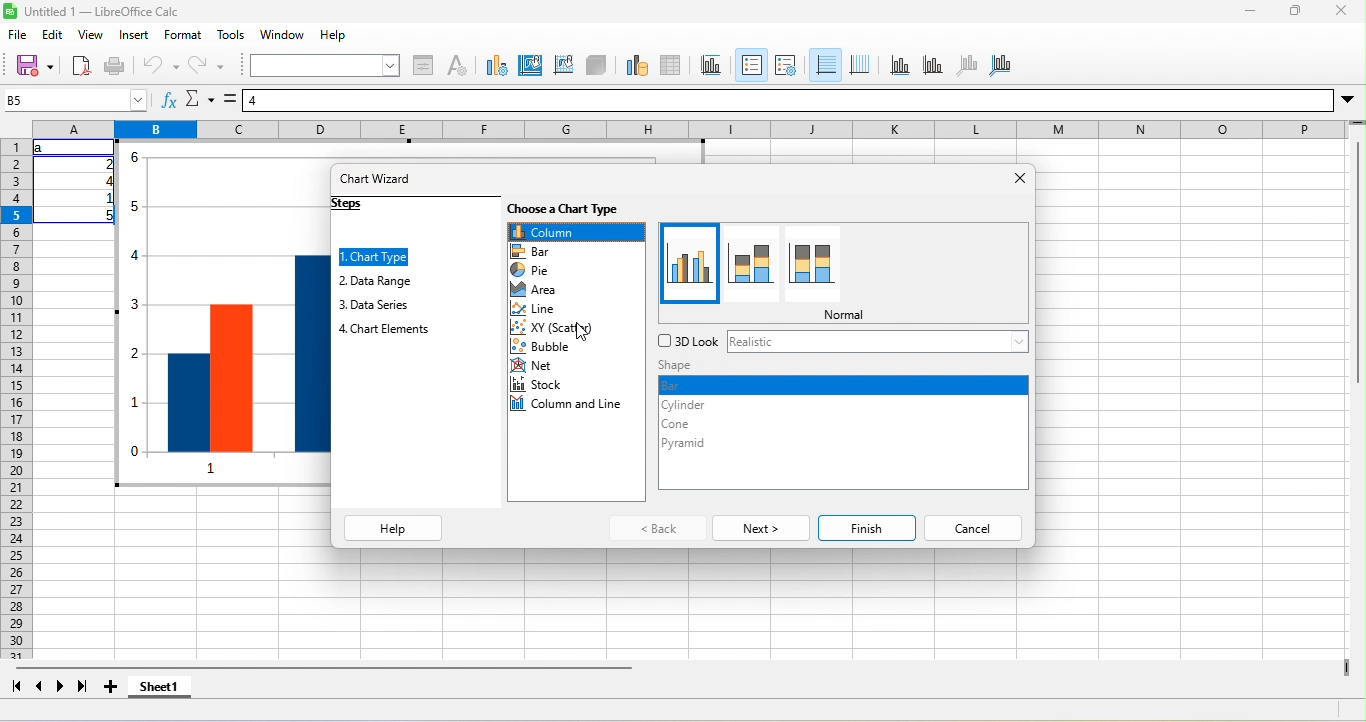  Describe the element at coordinates (376, 281) in the screenshot. I see `data range` at that location.